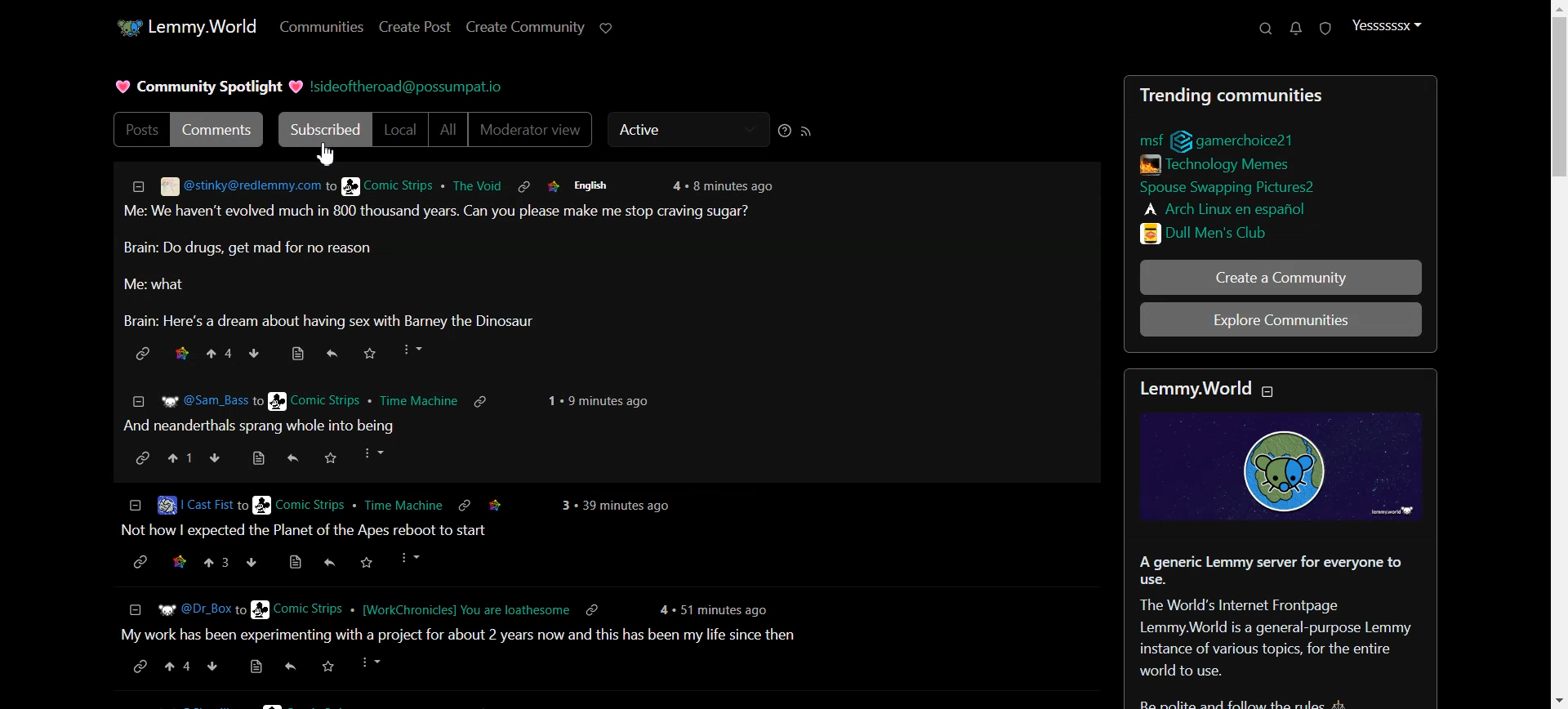 The width and height of the screenshot is (1568, 709). What do you see at coordinates (319, 532) in the screenshot?
I see `post` at bounding box center [319, 532].